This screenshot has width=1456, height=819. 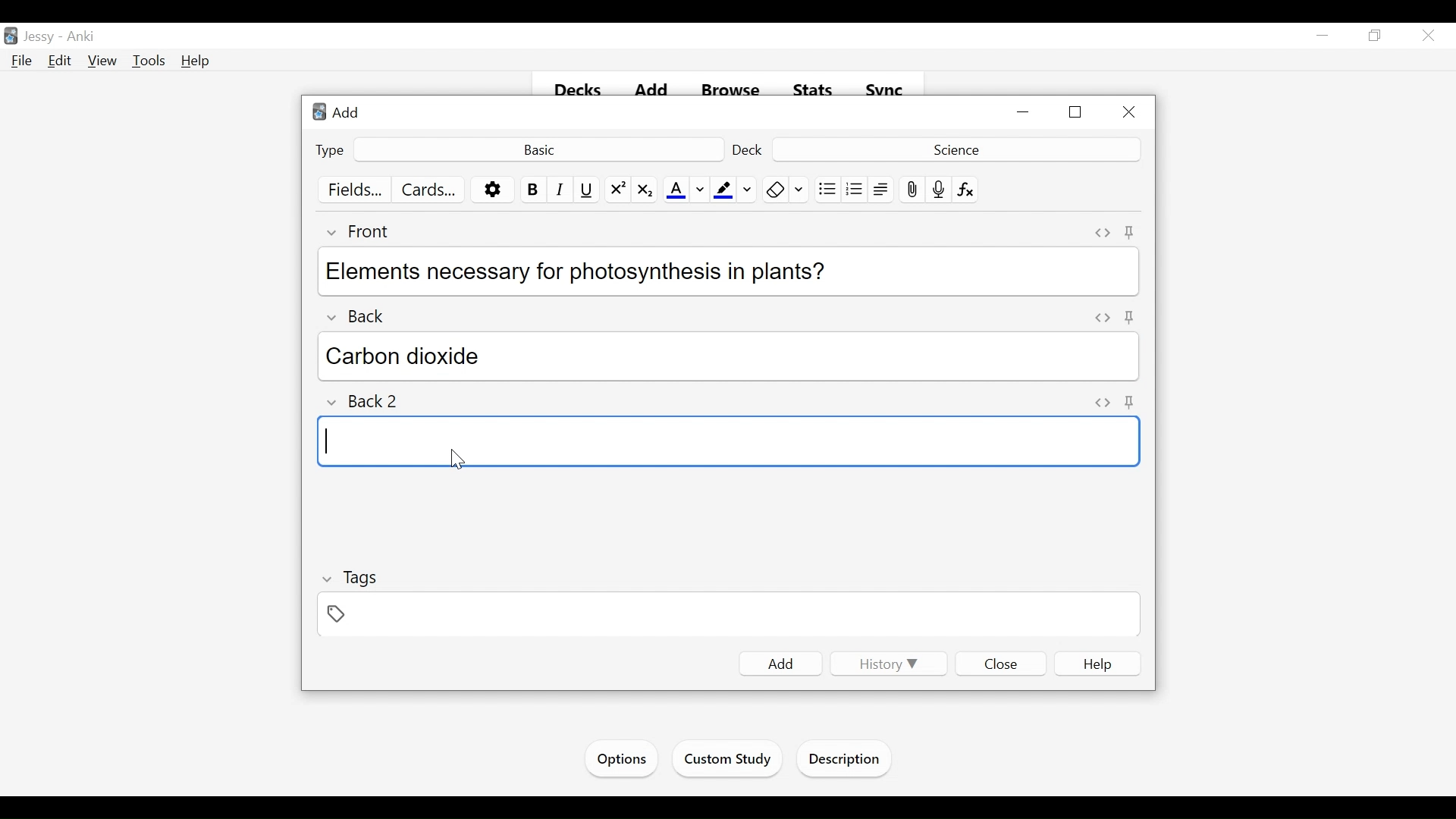 I want to click on Close, so click(x=1002, y=663).